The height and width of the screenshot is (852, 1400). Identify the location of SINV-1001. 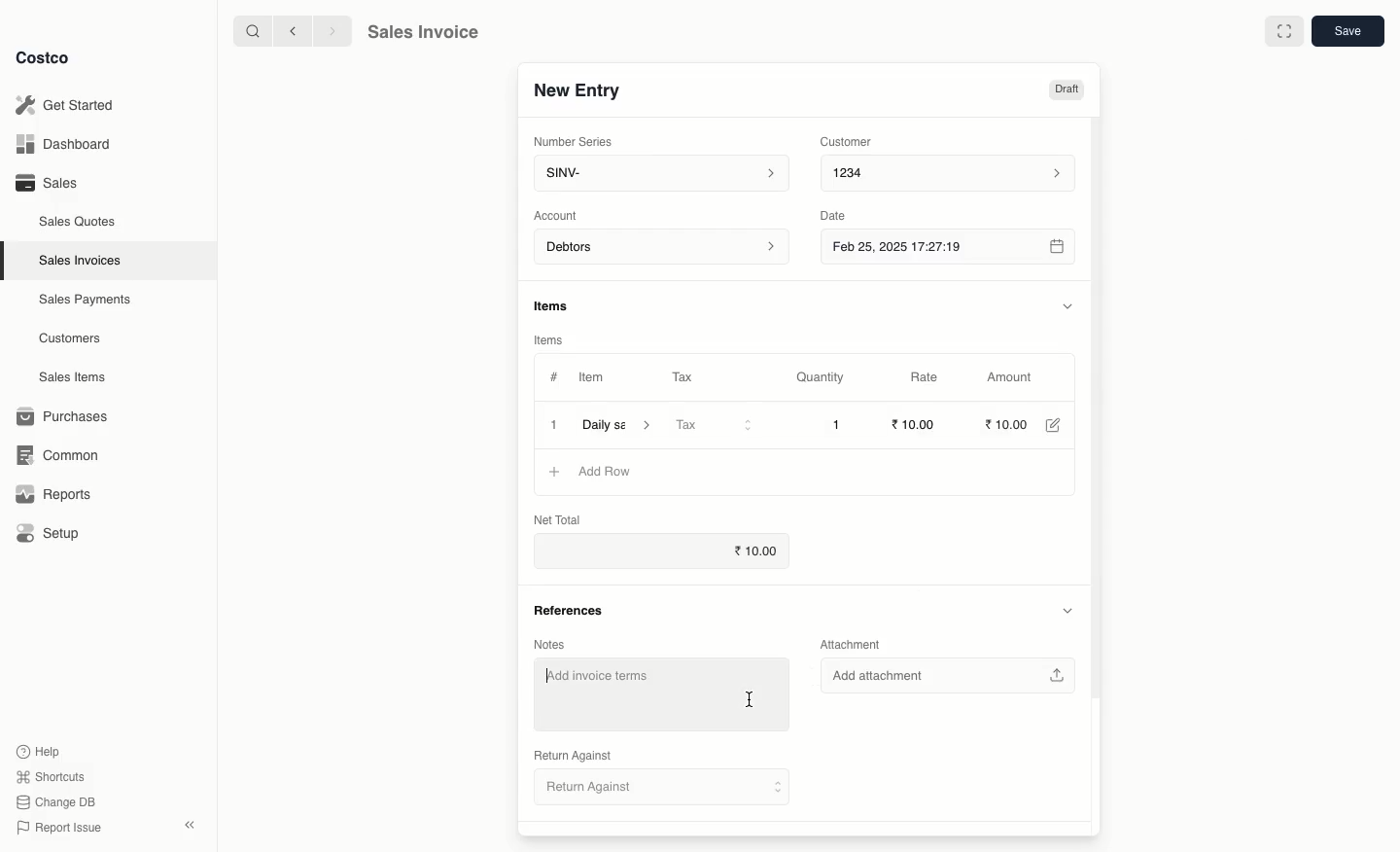
(586, 89).